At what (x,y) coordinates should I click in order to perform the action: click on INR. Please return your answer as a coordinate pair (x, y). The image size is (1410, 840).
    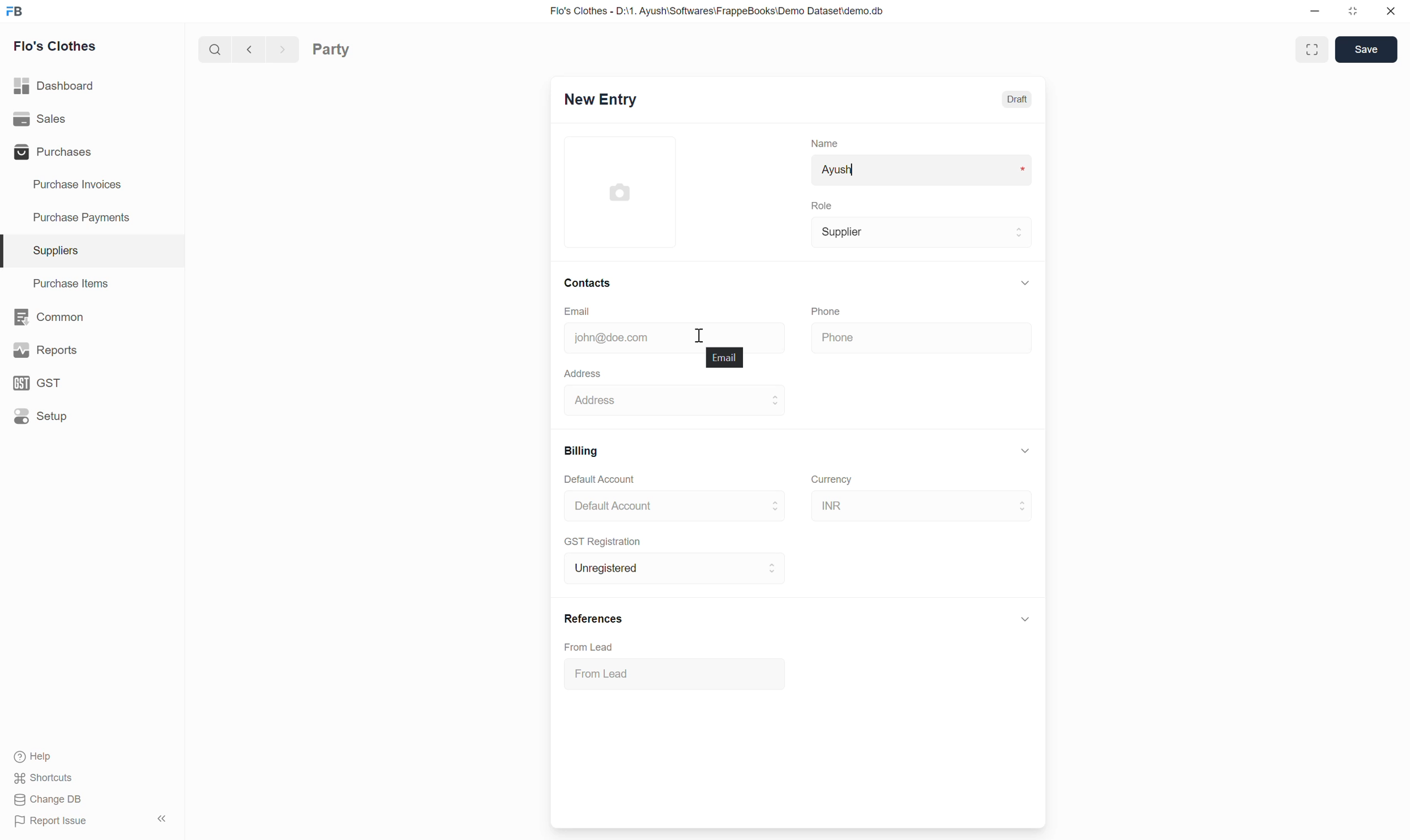
    Looking at the image, I should click on (922, 505).